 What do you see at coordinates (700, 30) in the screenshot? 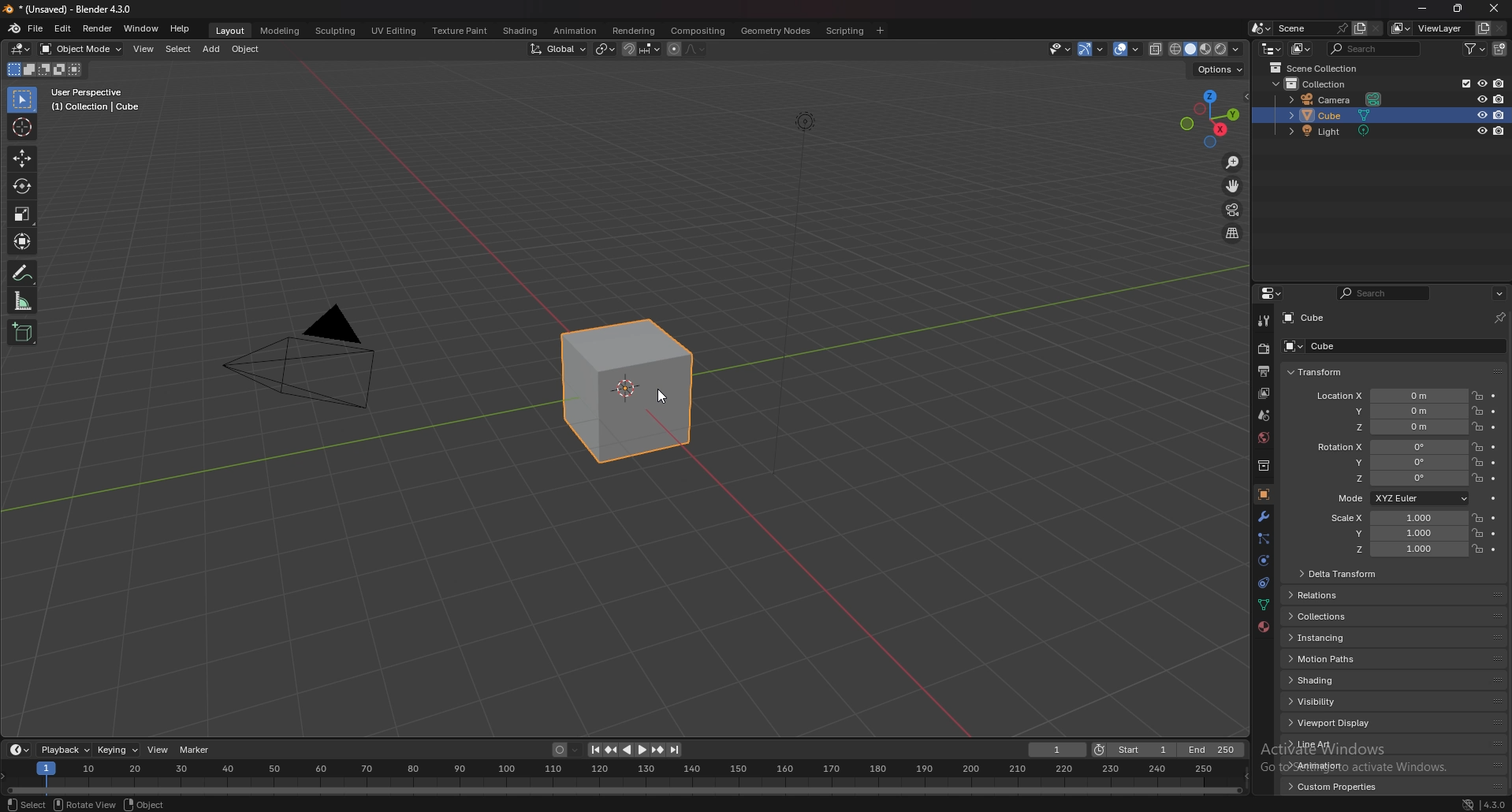
I see `compositing` at bounding box center [700, 30].